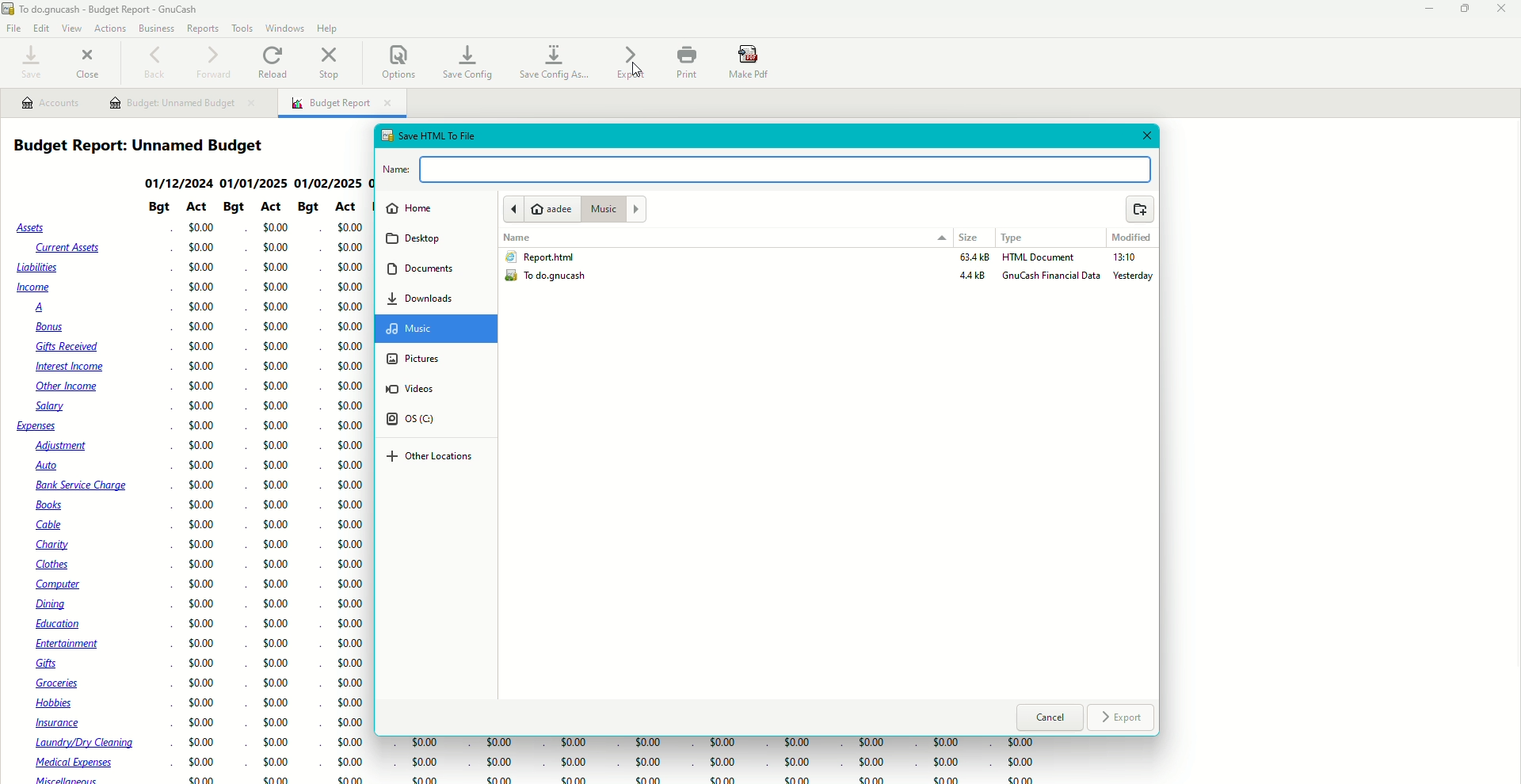  Describe the element at coordinates (332, 64) in the screenshot. I see `Stop` at that location.